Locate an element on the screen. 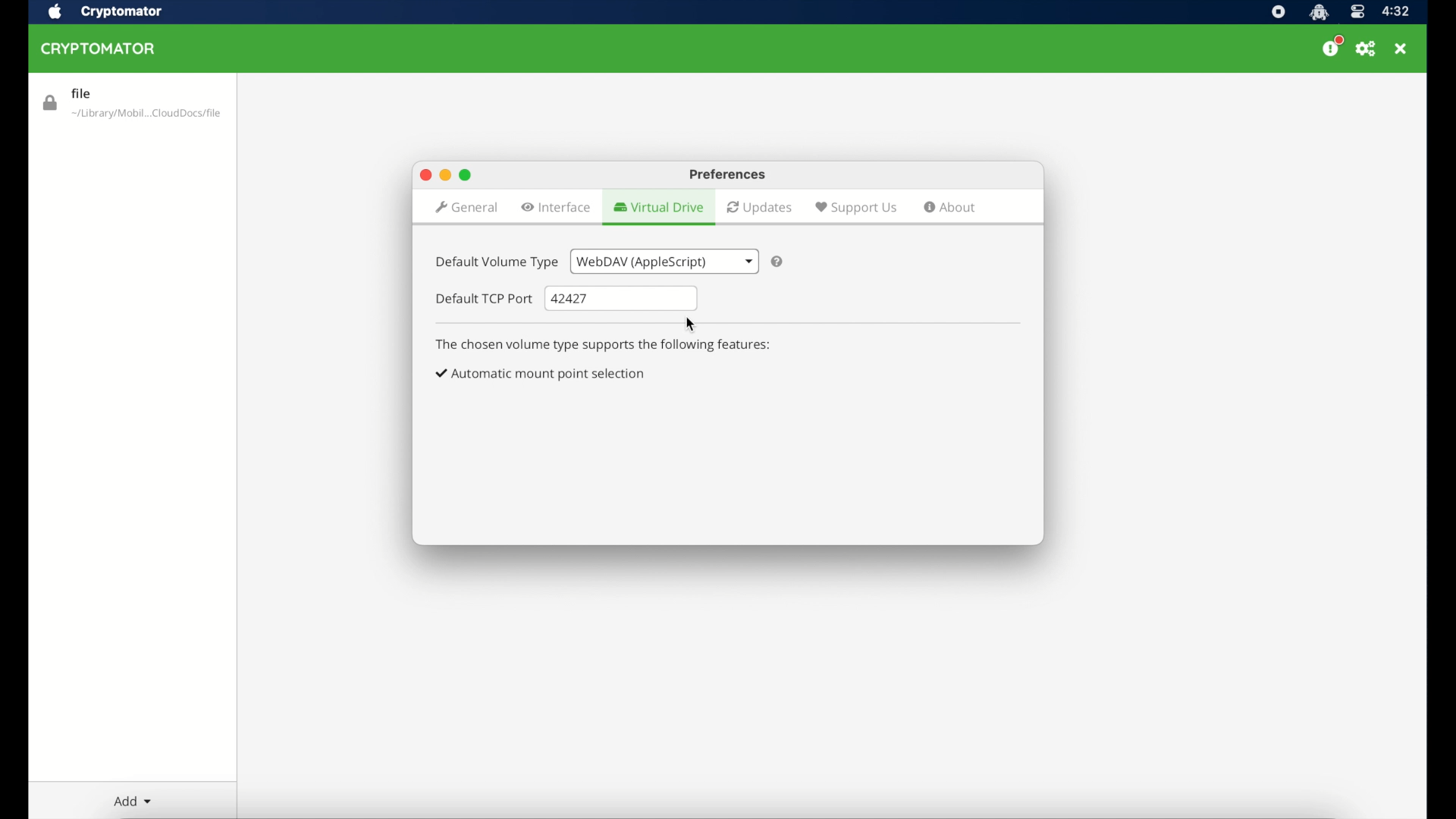 Image resolution: width=1456 pixels, height=819 pixels. question mark icon is located at coordinates (778, 262).